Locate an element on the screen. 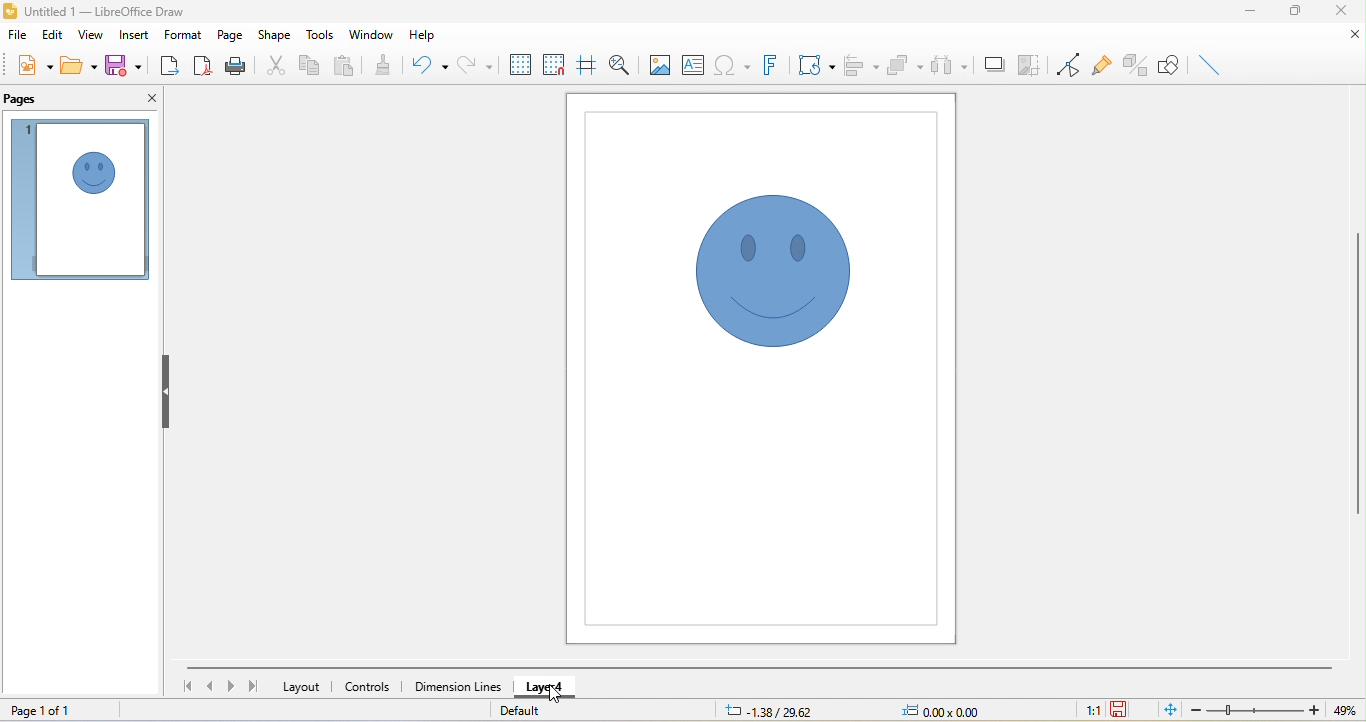  edit is located at coordinates (48, 38).